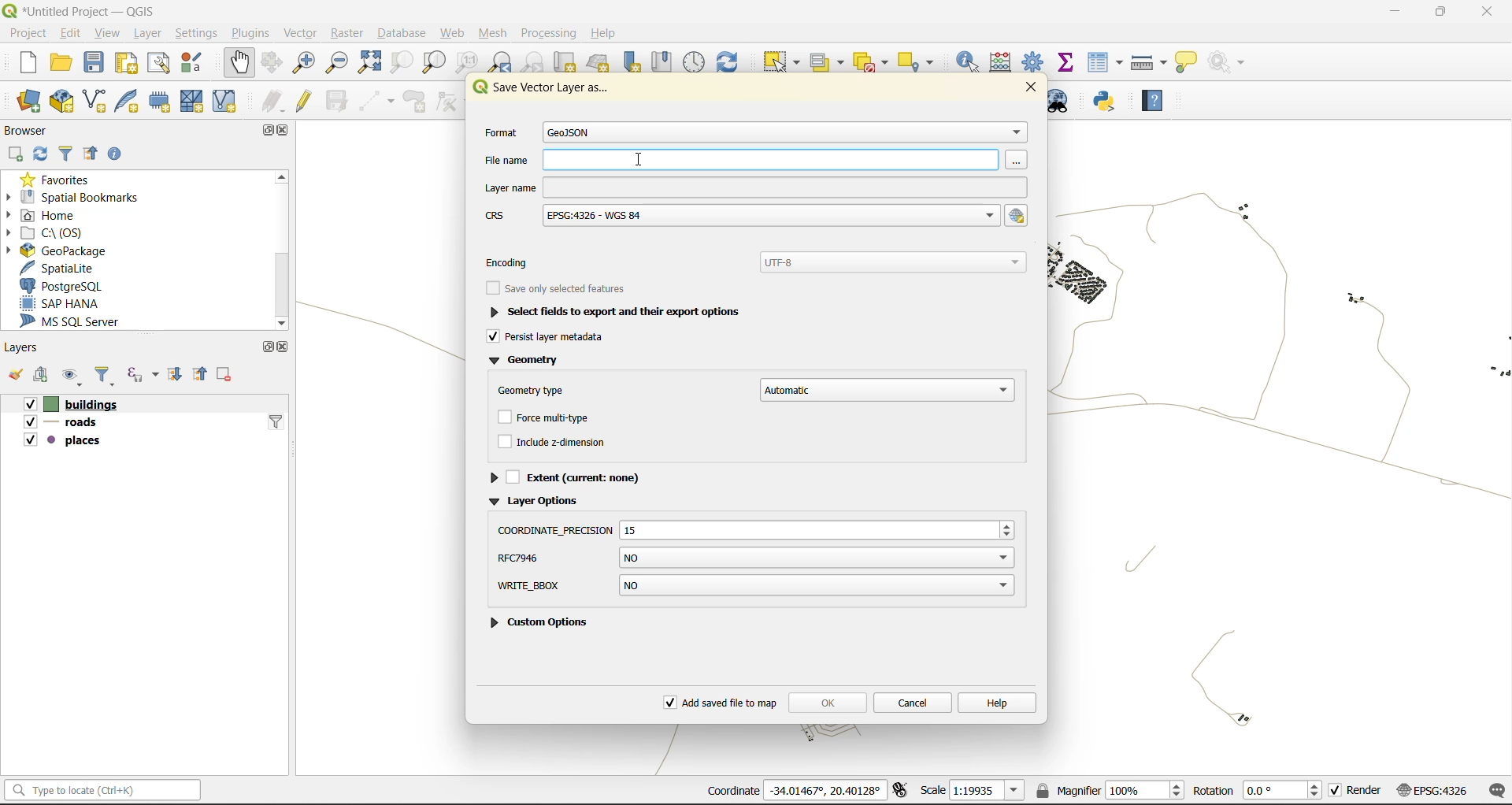 This screenshot has height=805, width=1512. I want to click on pan selection, so click(272, 61).